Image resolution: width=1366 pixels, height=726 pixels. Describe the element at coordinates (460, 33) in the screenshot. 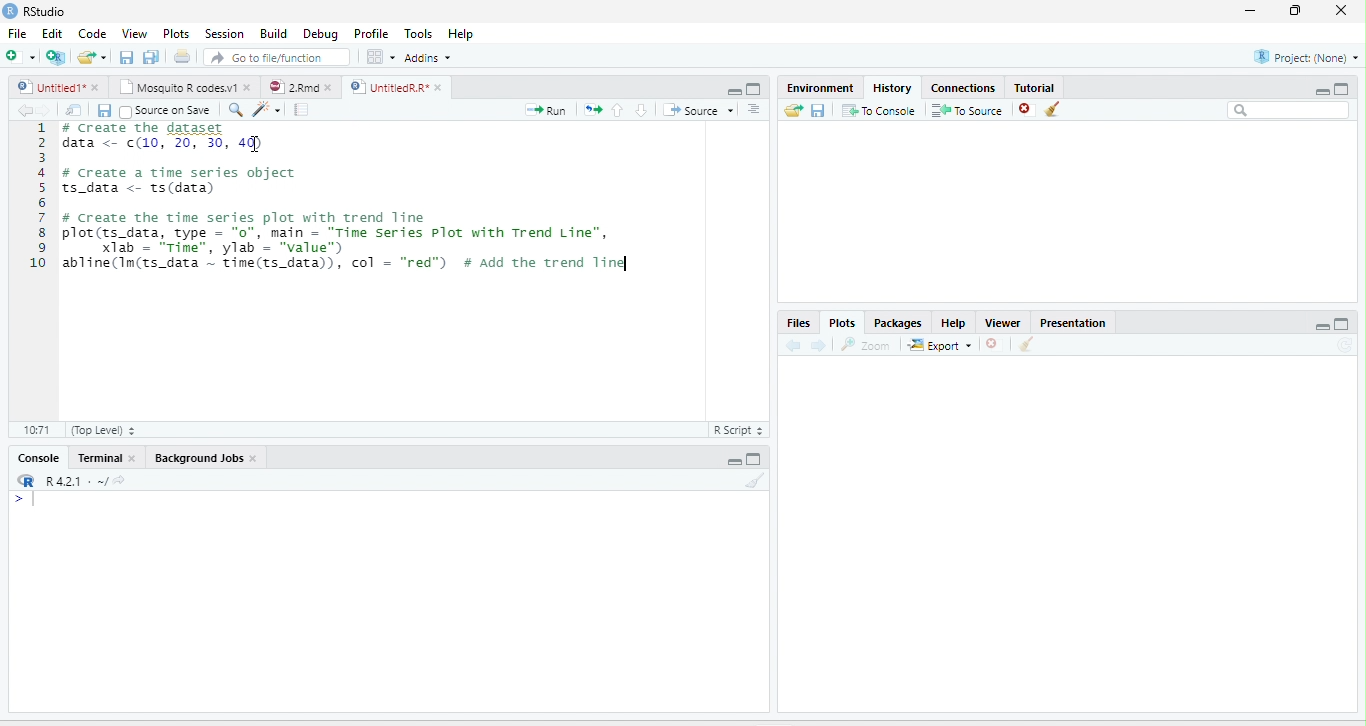

I see `Help` at that location.